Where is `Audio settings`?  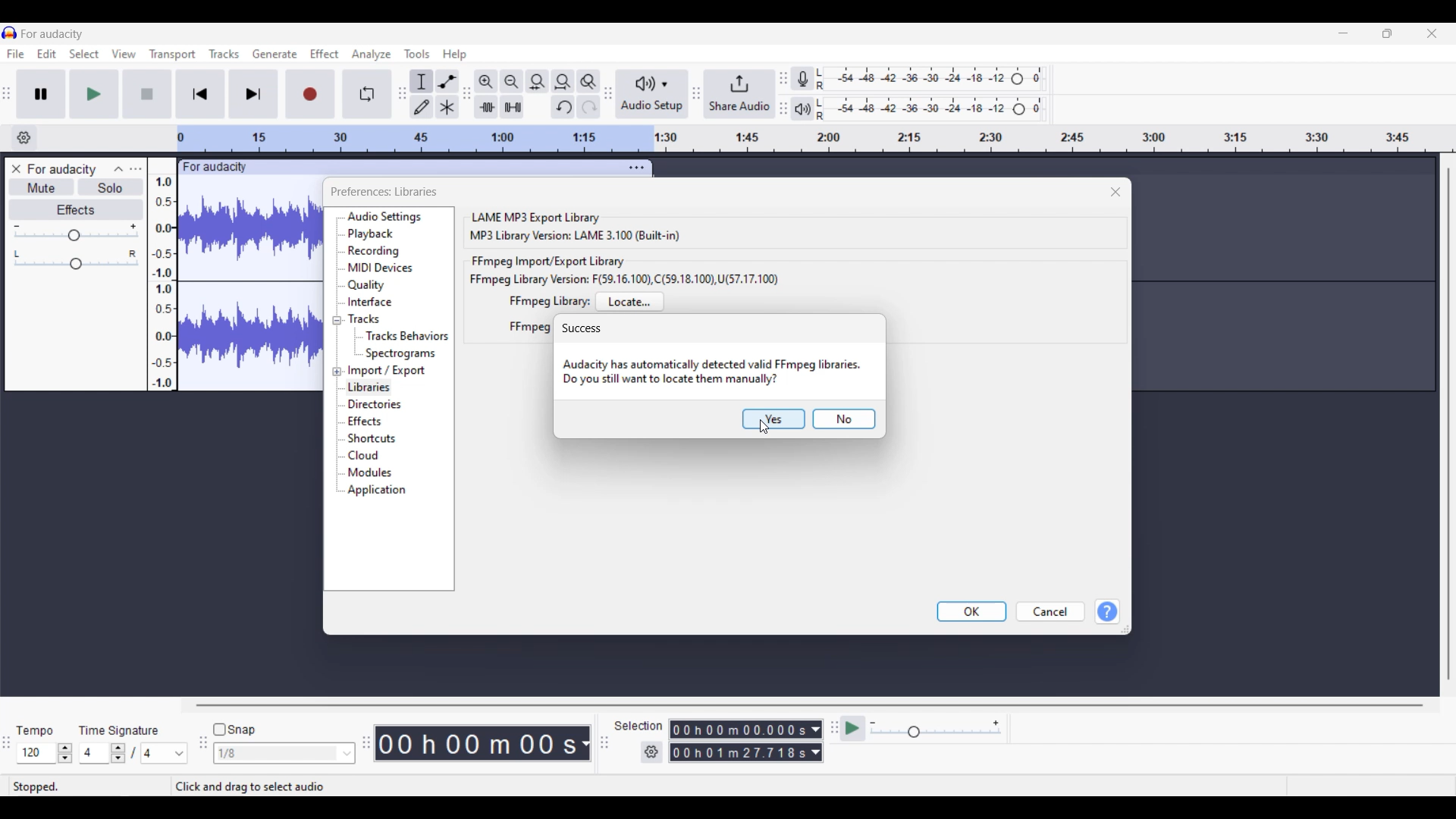
Audio settings is located at coordinates (385, 217).